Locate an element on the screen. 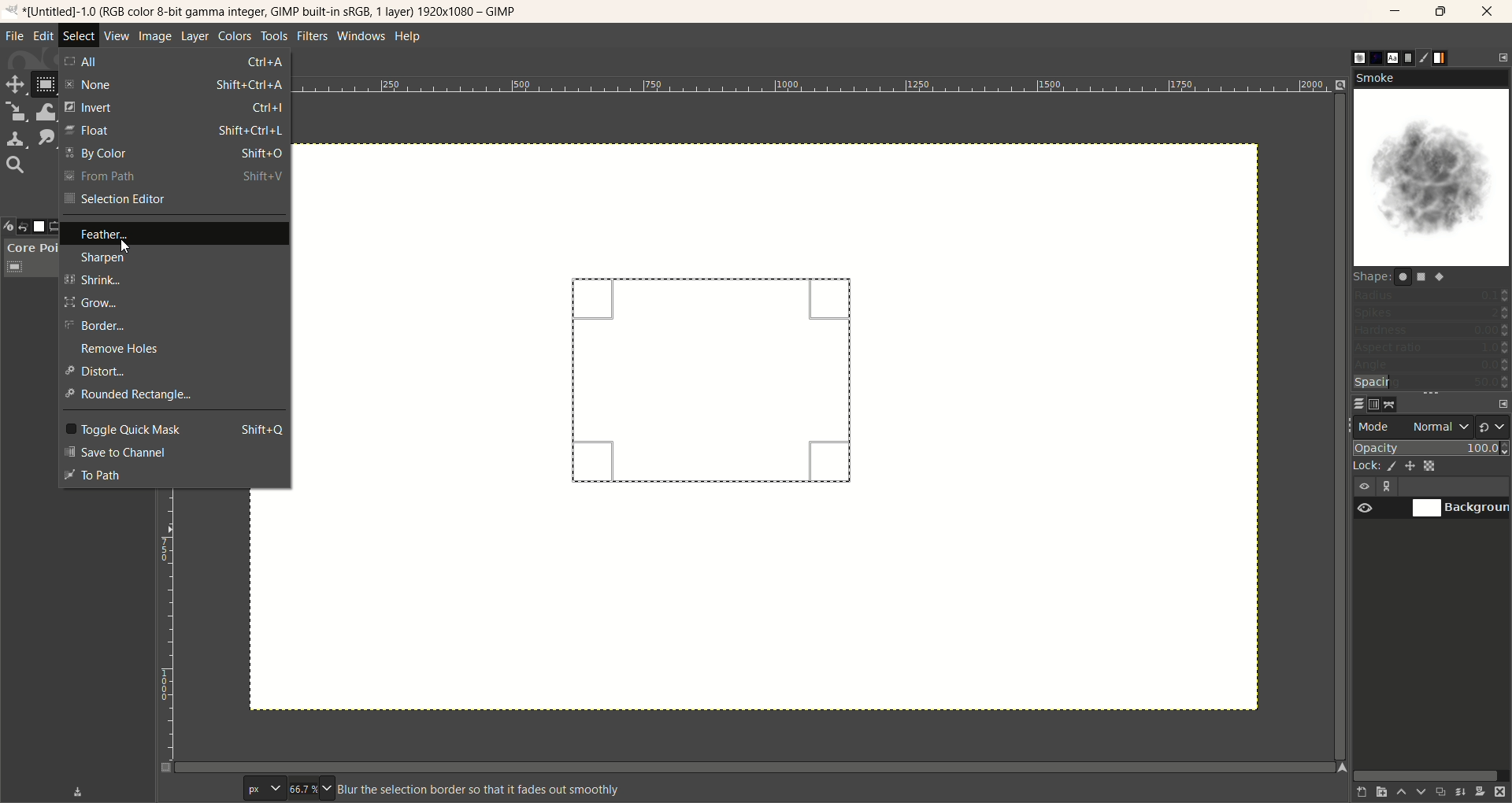 This screenshot has height=803, width=1512. layer linking is located at coordinates (1390, 487).